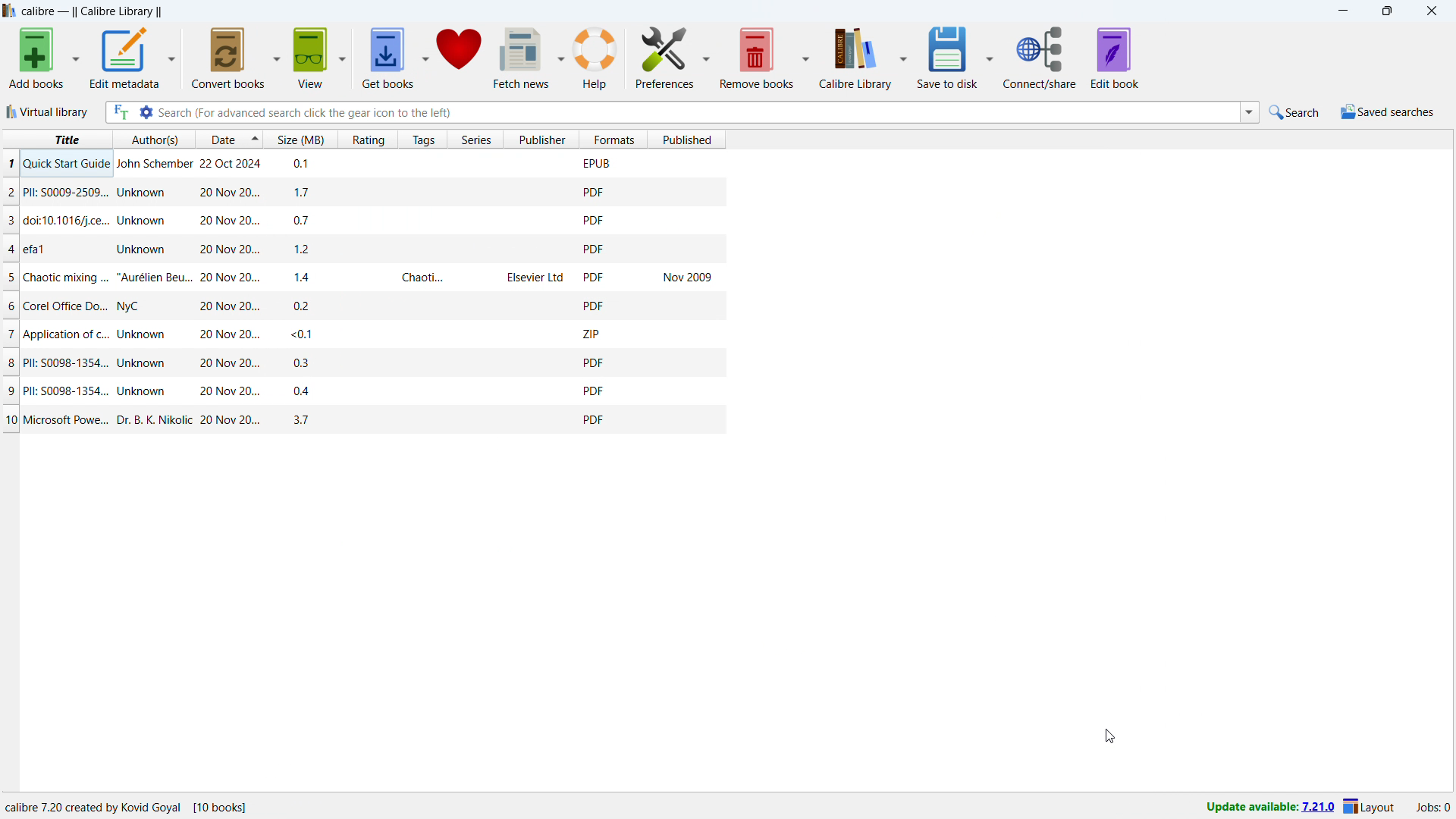 The height and width of the screenshot is (819, 1456). I want to click on logo, so click(10, 11).